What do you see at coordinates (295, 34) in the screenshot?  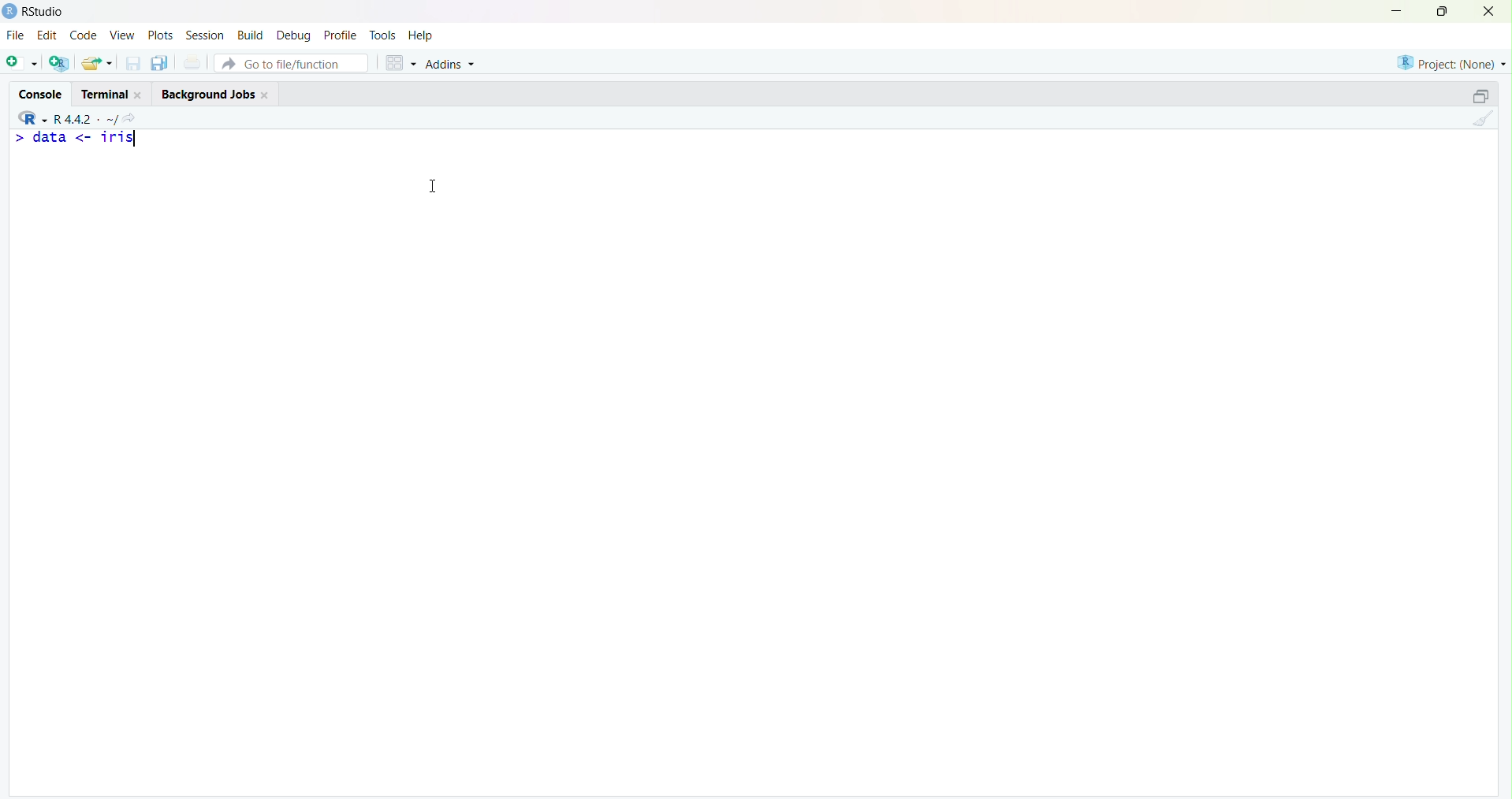 I see `Debug` at bounding box center [295, 34].